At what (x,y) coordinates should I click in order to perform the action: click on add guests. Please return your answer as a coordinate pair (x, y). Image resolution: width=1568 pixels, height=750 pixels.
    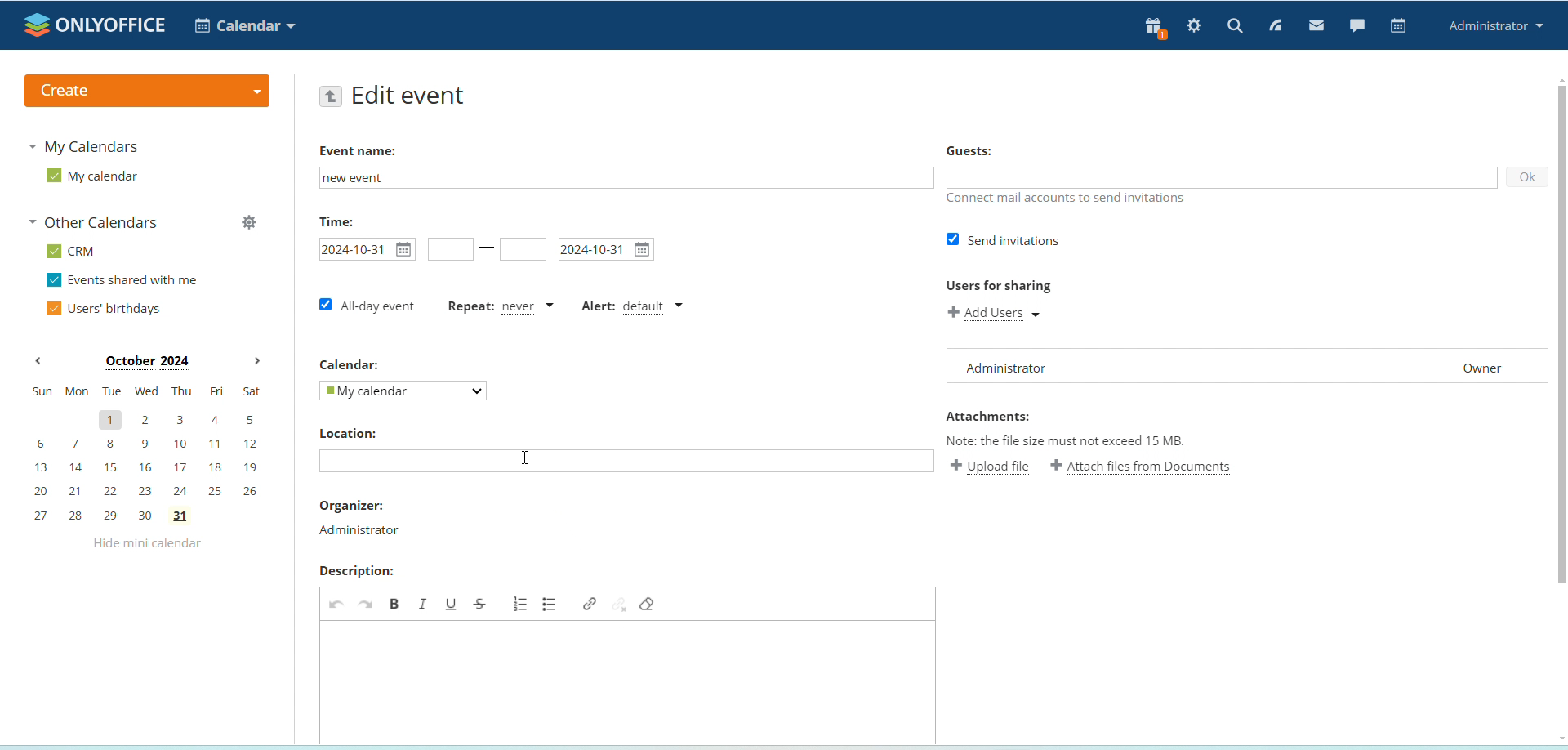
    Looking at the image, I should click on (1220, 178).